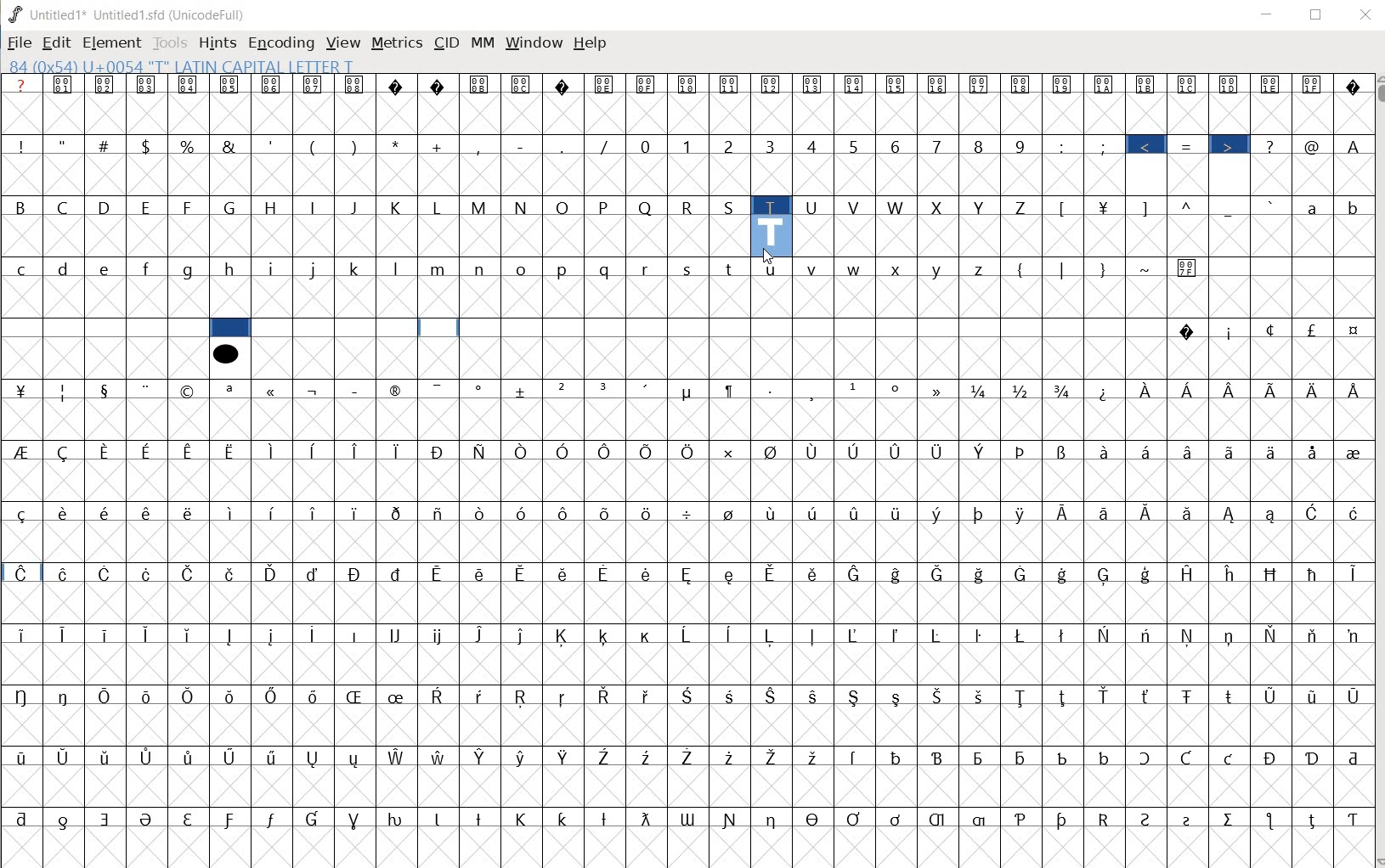 Image resolution: width=1385 pixels, height=868 pixels. I want to click on G, so click(230, 208).